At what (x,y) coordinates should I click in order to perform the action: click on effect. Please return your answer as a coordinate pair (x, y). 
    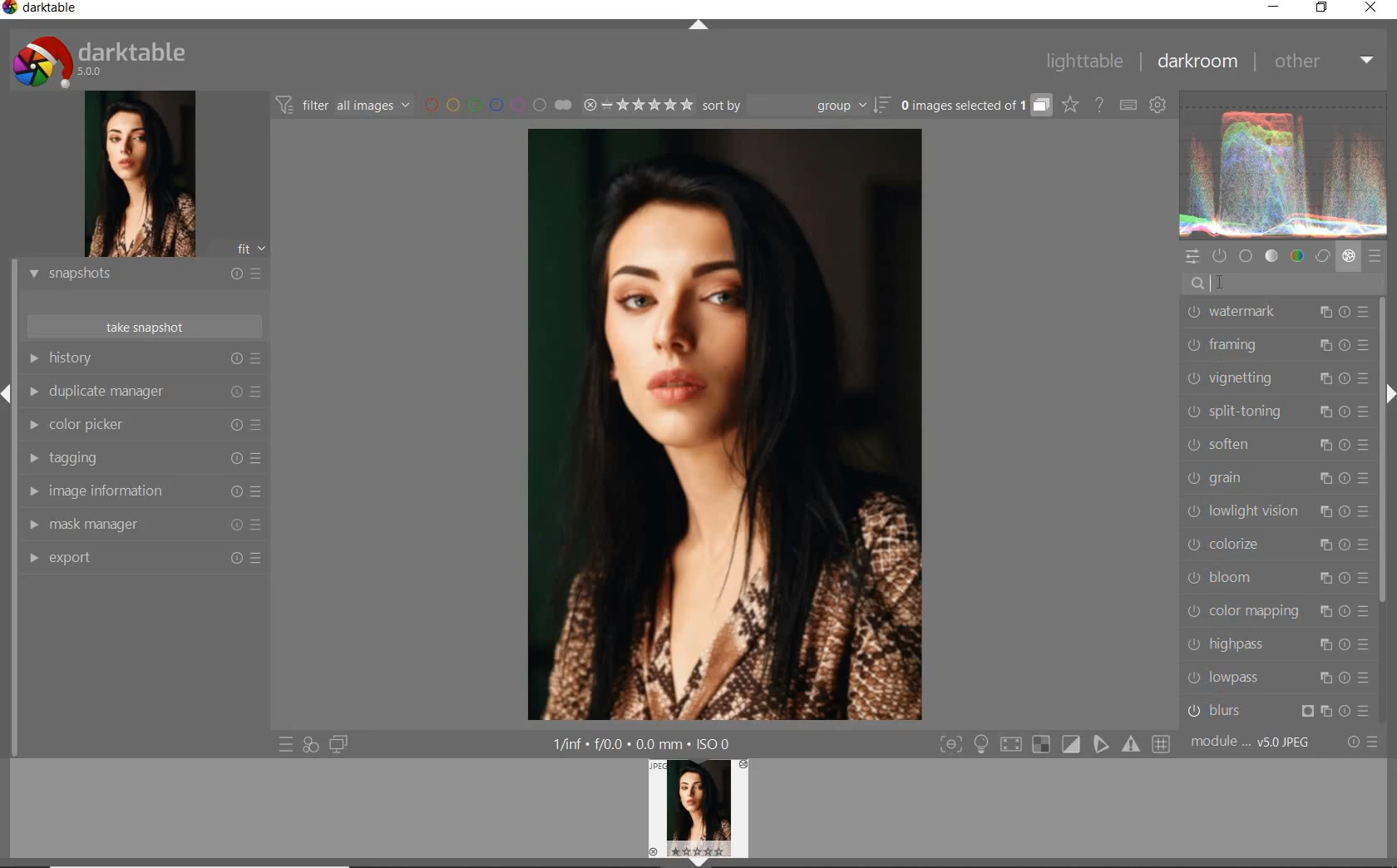
    Looking at the image, I should click on (1349, 258).